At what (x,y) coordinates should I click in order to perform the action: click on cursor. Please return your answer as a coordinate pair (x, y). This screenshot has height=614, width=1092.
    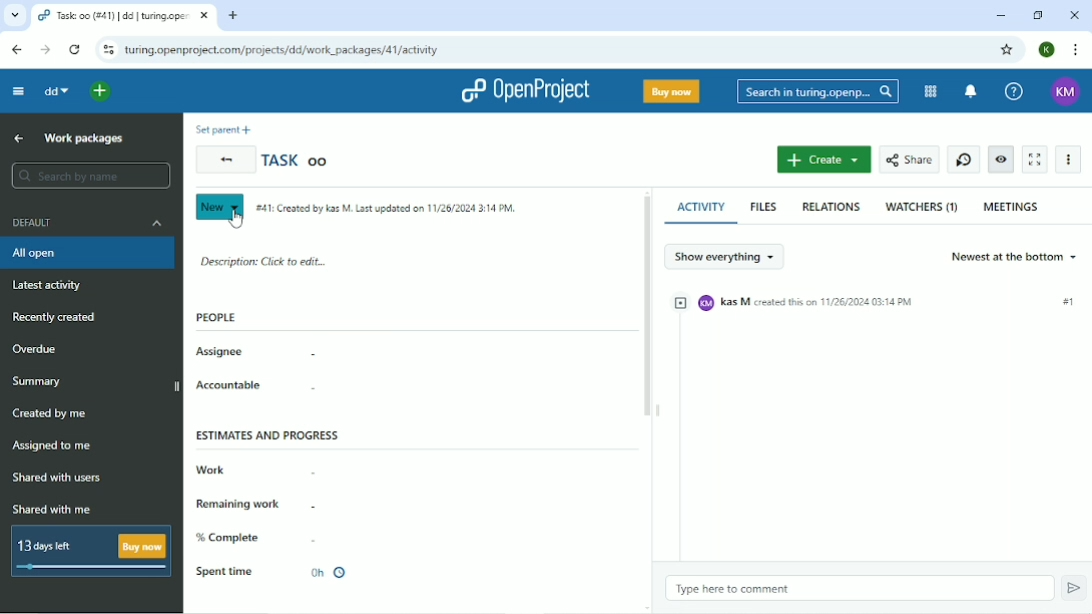
    Looking at the image, I should click on (237, 220).